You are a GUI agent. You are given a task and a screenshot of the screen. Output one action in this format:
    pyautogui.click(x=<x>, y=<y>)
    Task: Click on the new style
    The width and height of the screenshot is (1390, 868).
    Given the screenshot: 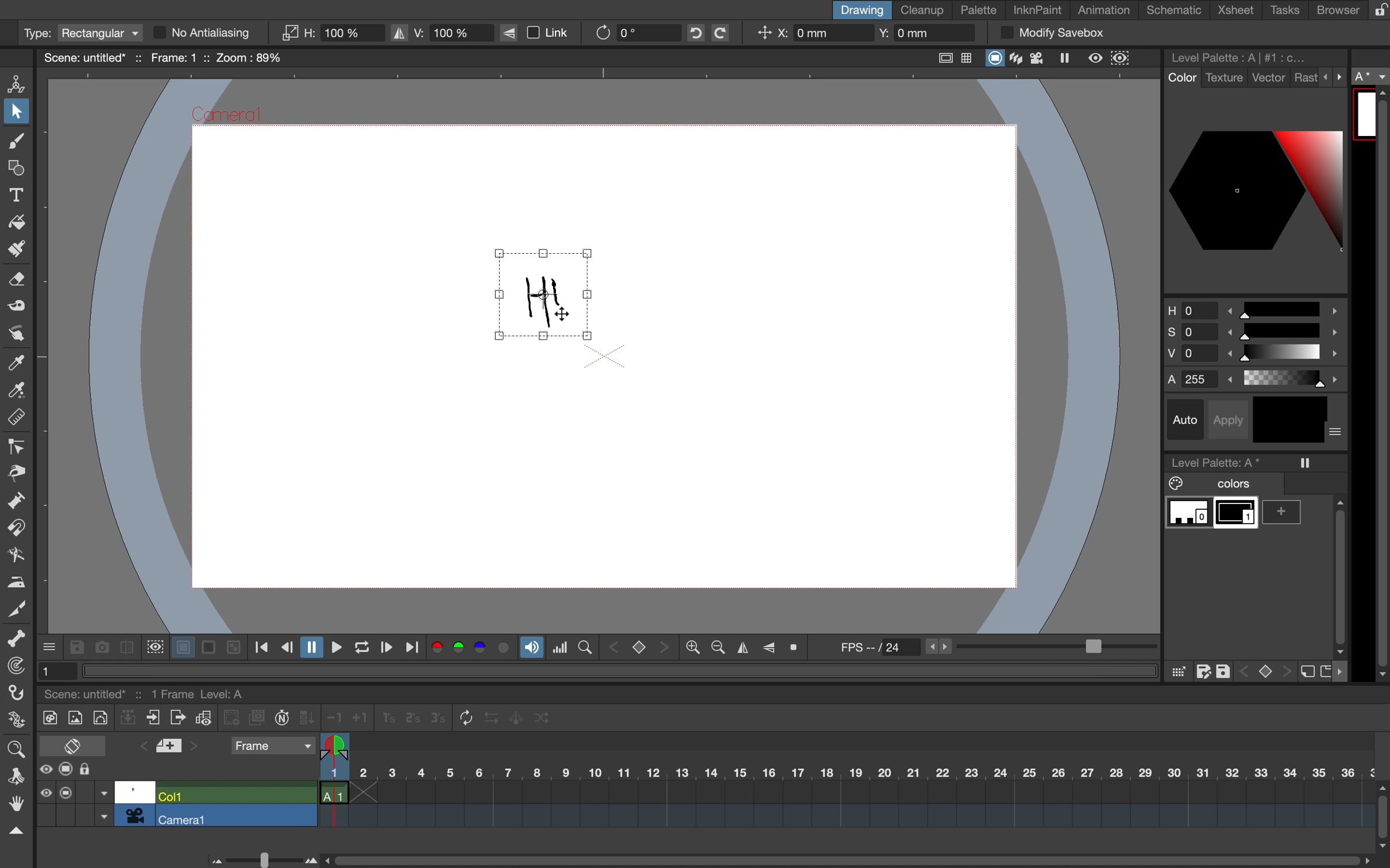 What is the action you would take?
    pyautogui.click(x=1306, y=672)
    